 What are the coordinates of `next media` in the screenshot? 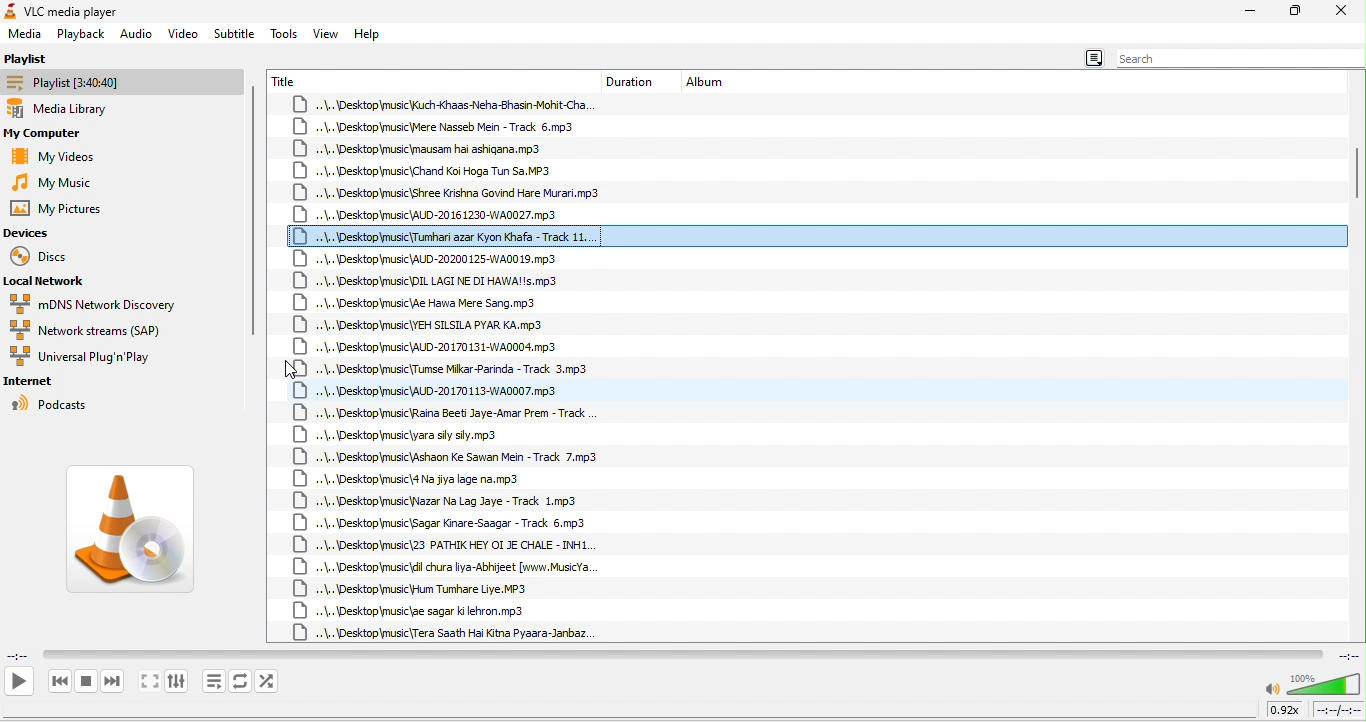 It's located at (113, 683).